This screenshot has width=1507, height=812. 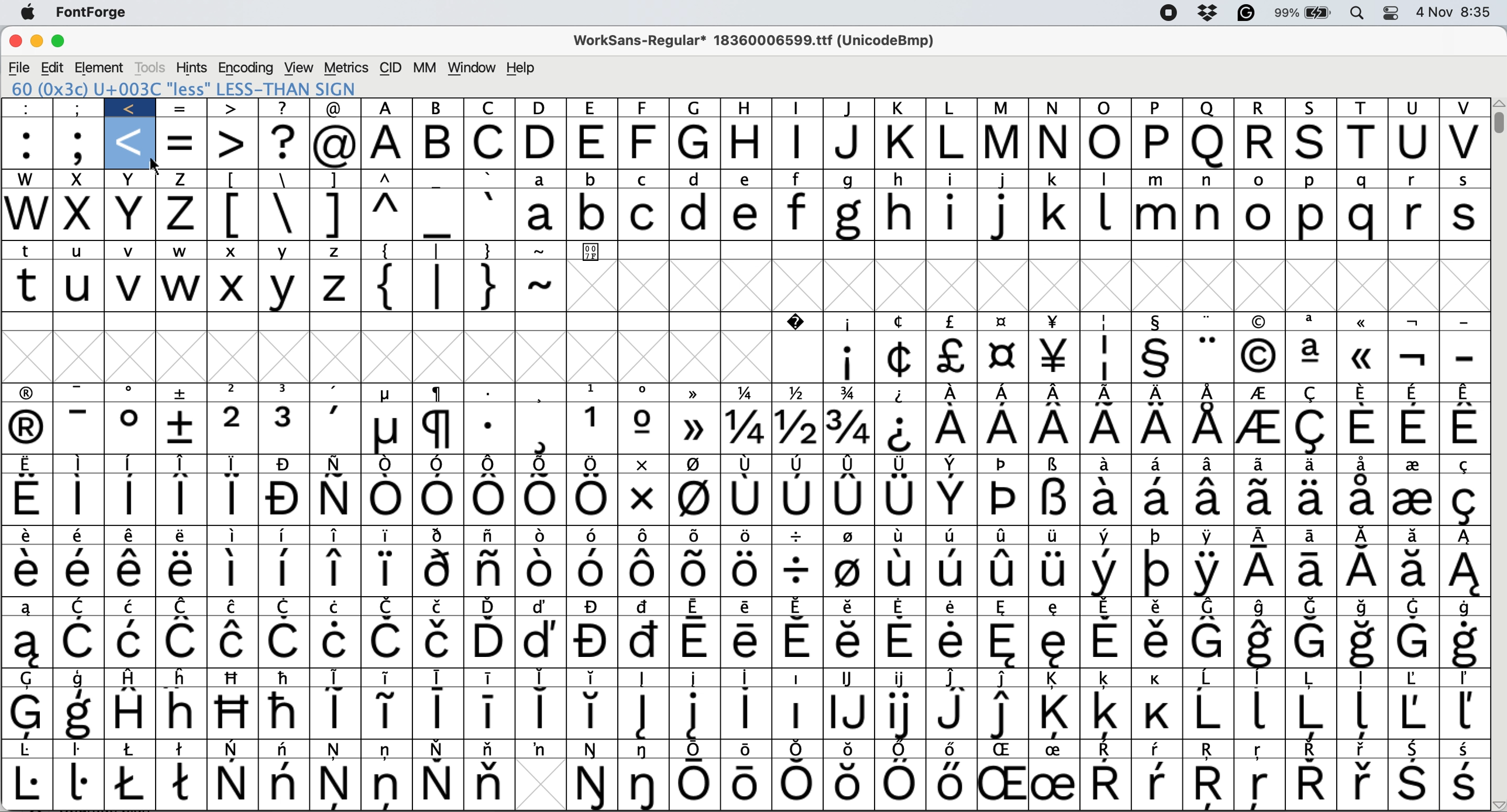 I want to click on b, so click(x=589, y=214).